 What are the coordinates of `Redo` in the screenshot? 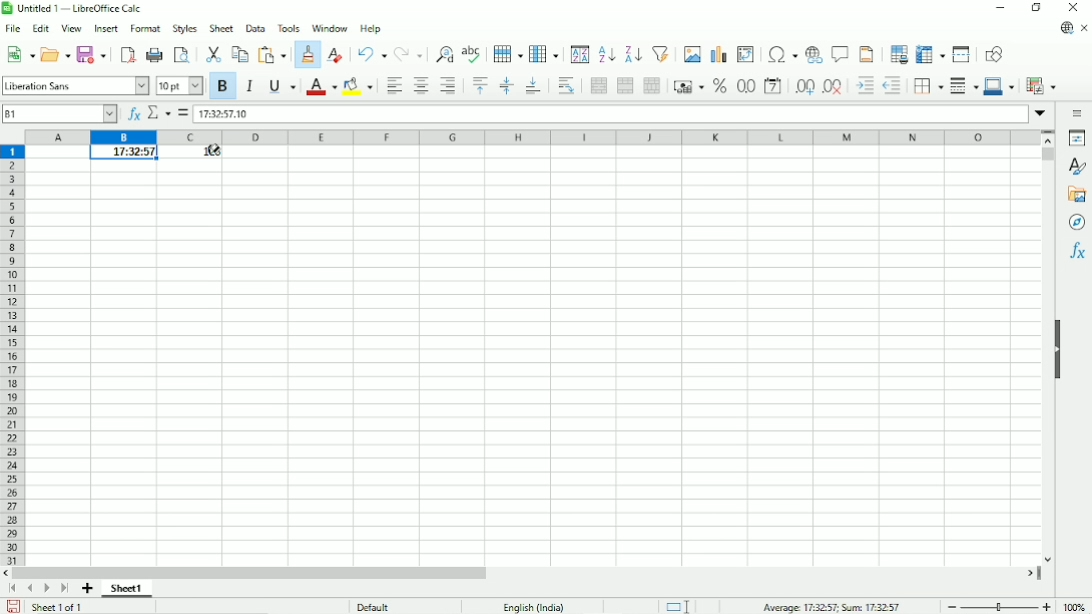 It's located at (408, 53).